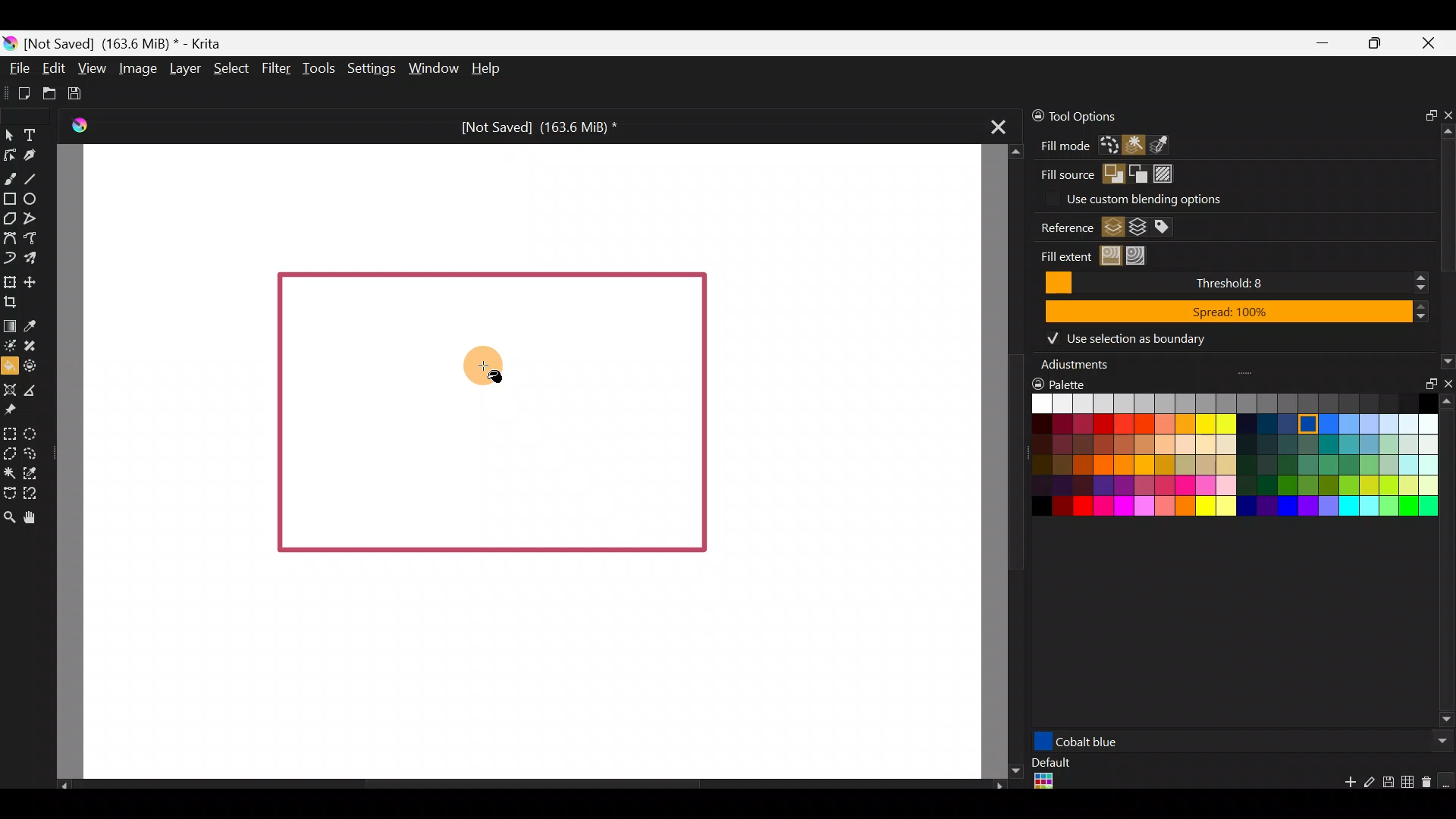  Describe the element at coordinates (1088, 115) in the screenshot. I see `Tool options` at that location.